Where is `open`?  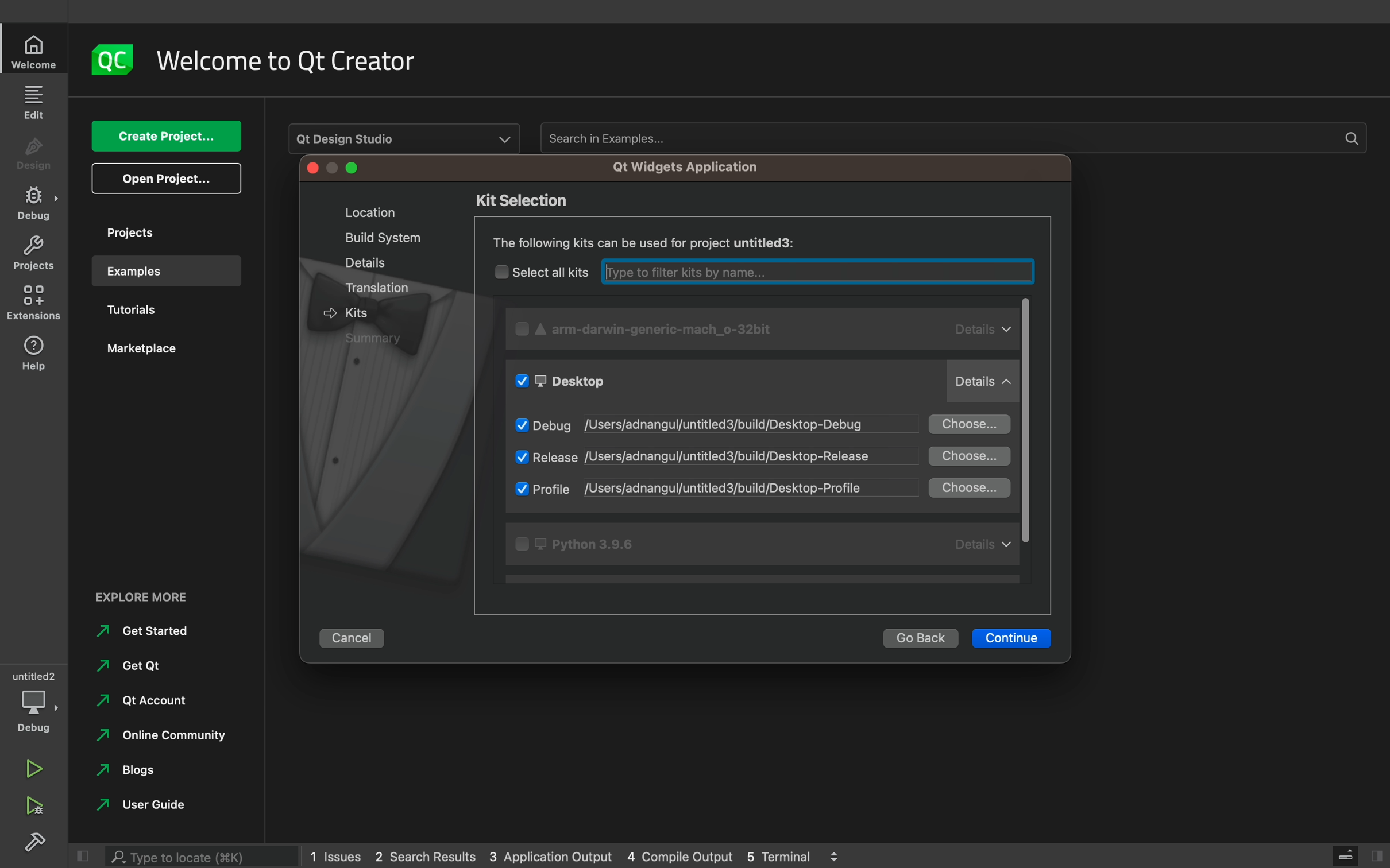 open is located at coordinates (167, 179).